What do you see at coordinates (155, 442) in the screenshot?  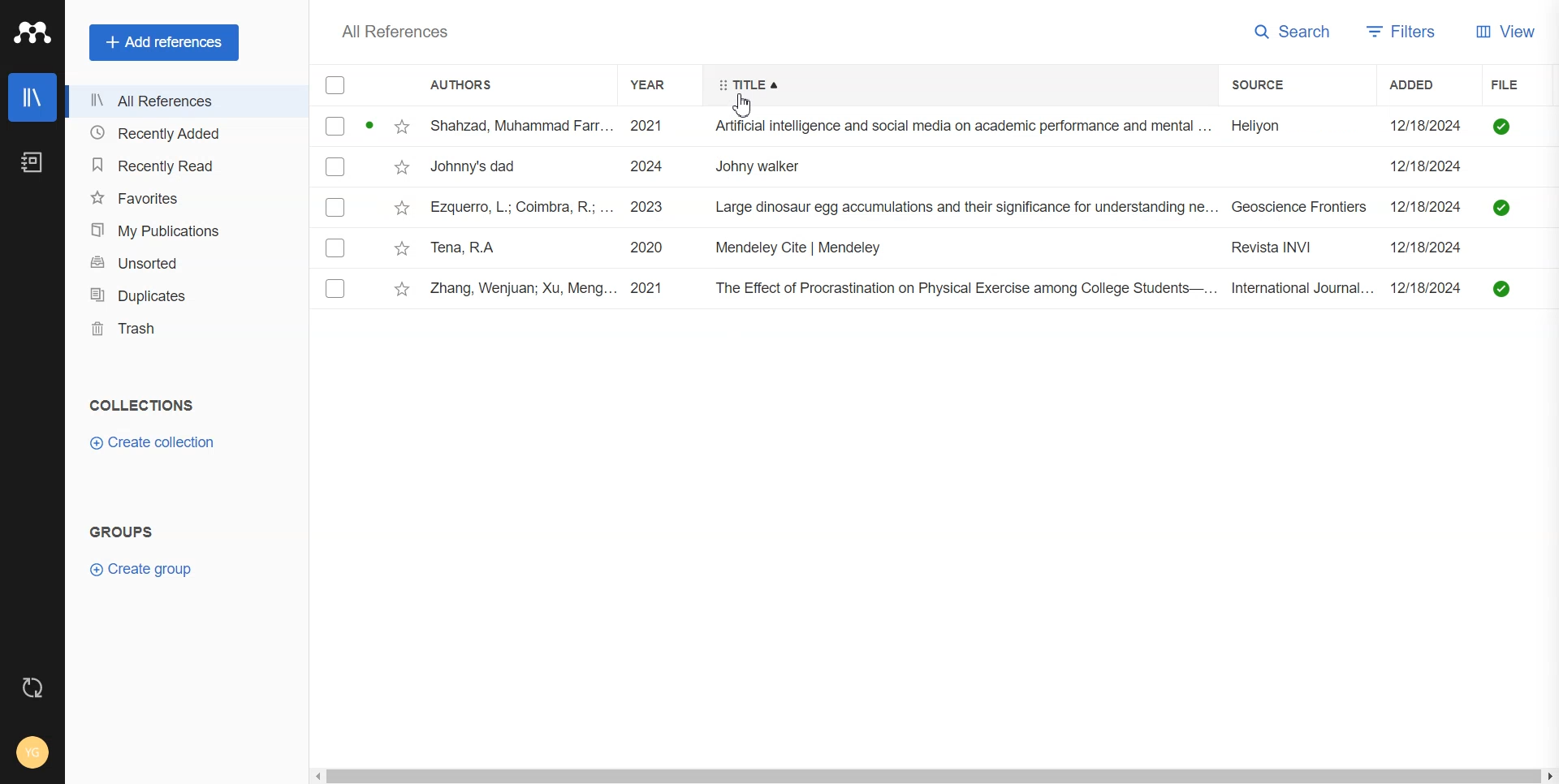 I see `Create collection` at bounding box center [155, 442].